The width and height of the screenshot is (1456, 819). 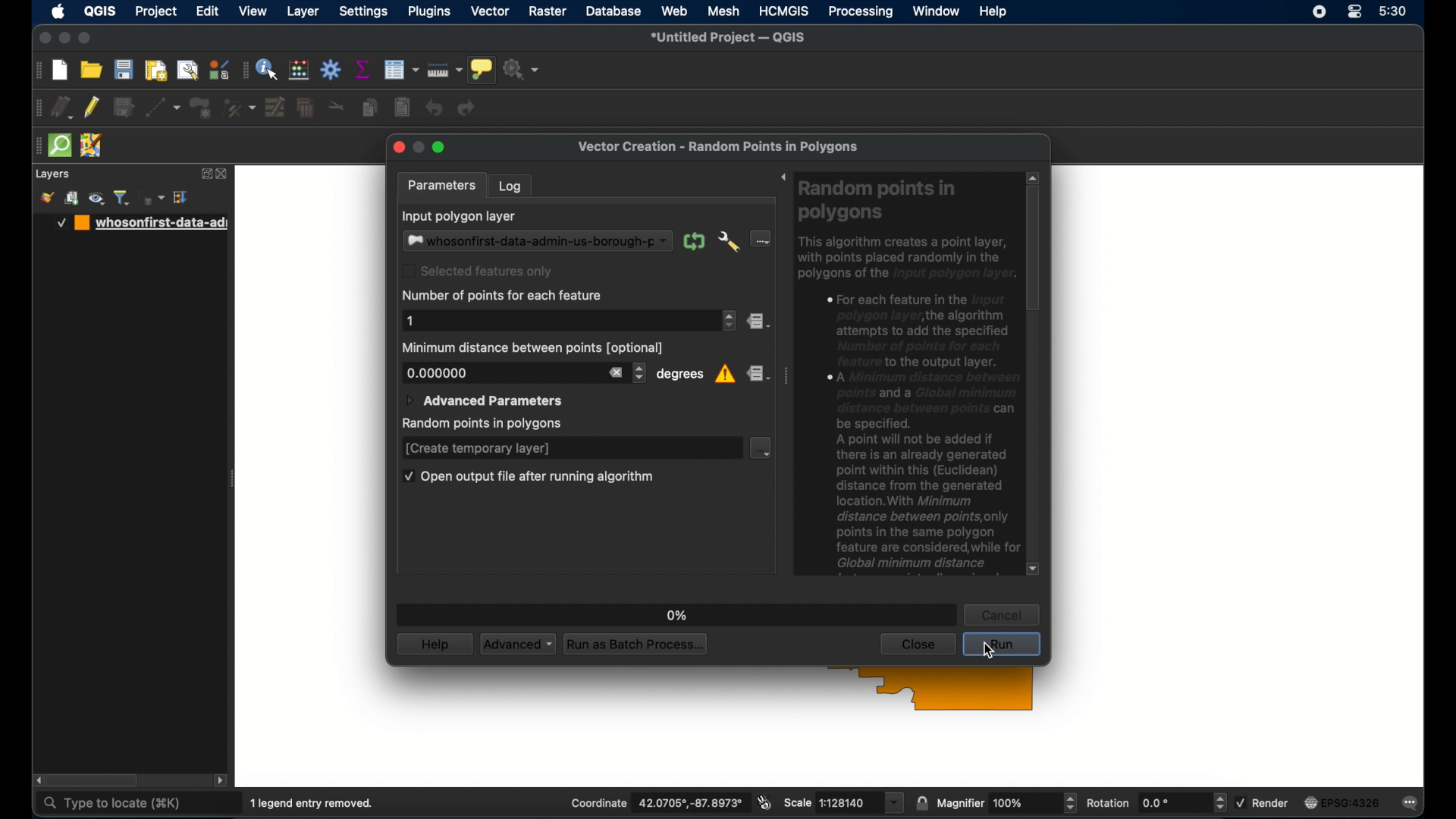 I want to click on web, so click(x=674, y=11).